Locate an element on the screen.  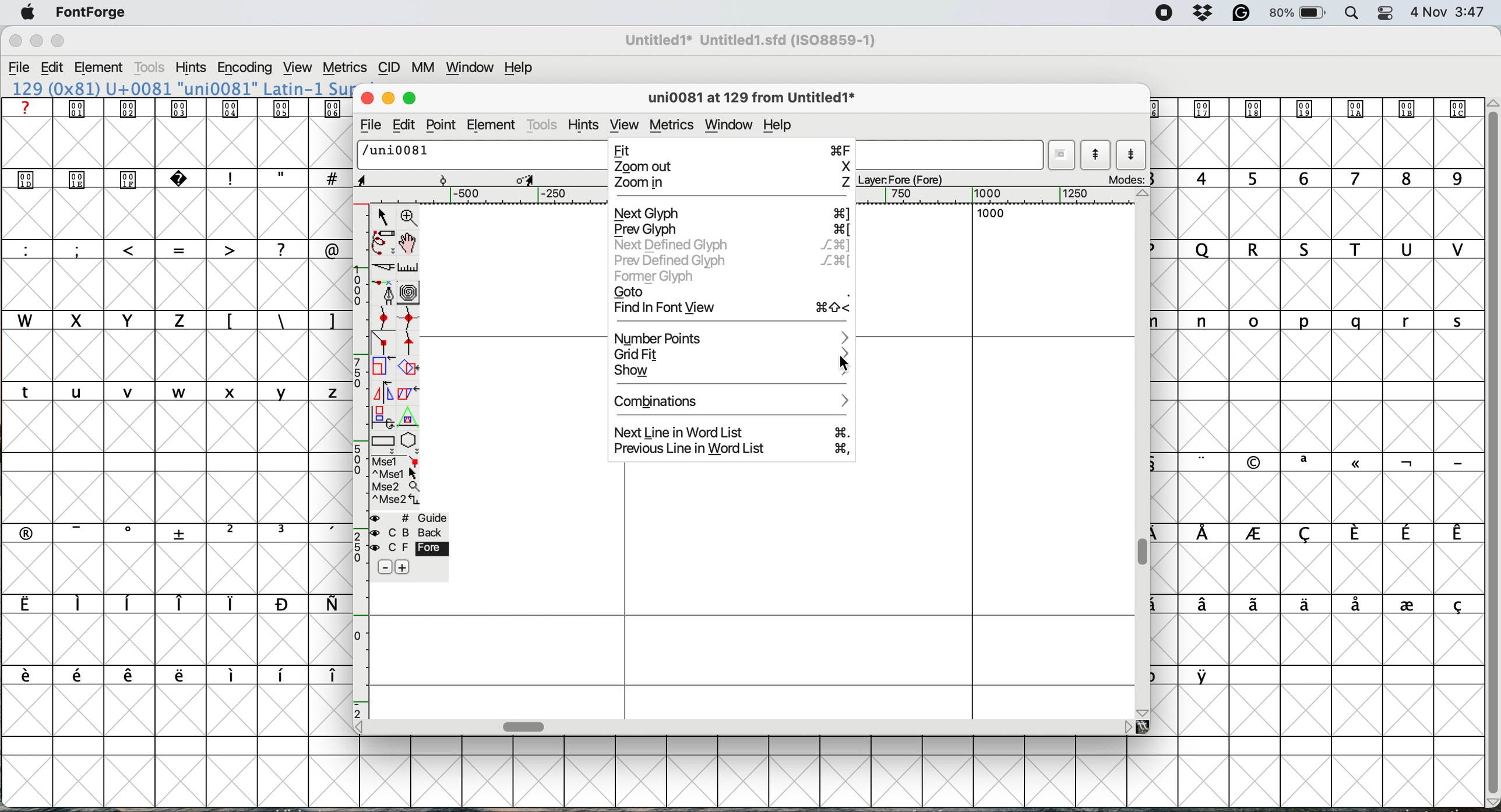
FontForge is located at coordinates (91, 16).